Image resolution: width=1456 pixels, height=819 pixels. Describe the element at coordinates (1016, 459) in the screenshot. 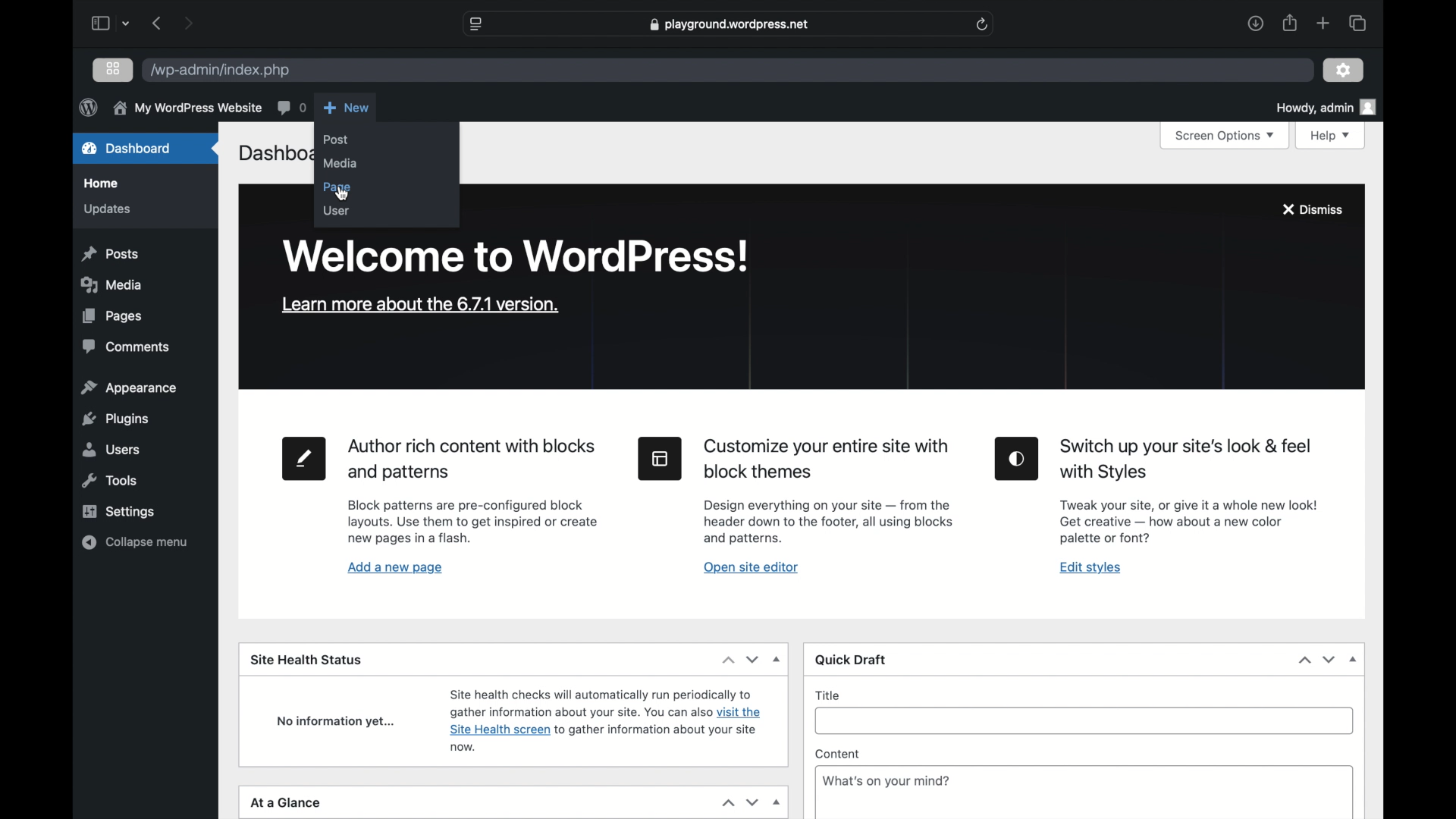

I see `edit styles` at that location.